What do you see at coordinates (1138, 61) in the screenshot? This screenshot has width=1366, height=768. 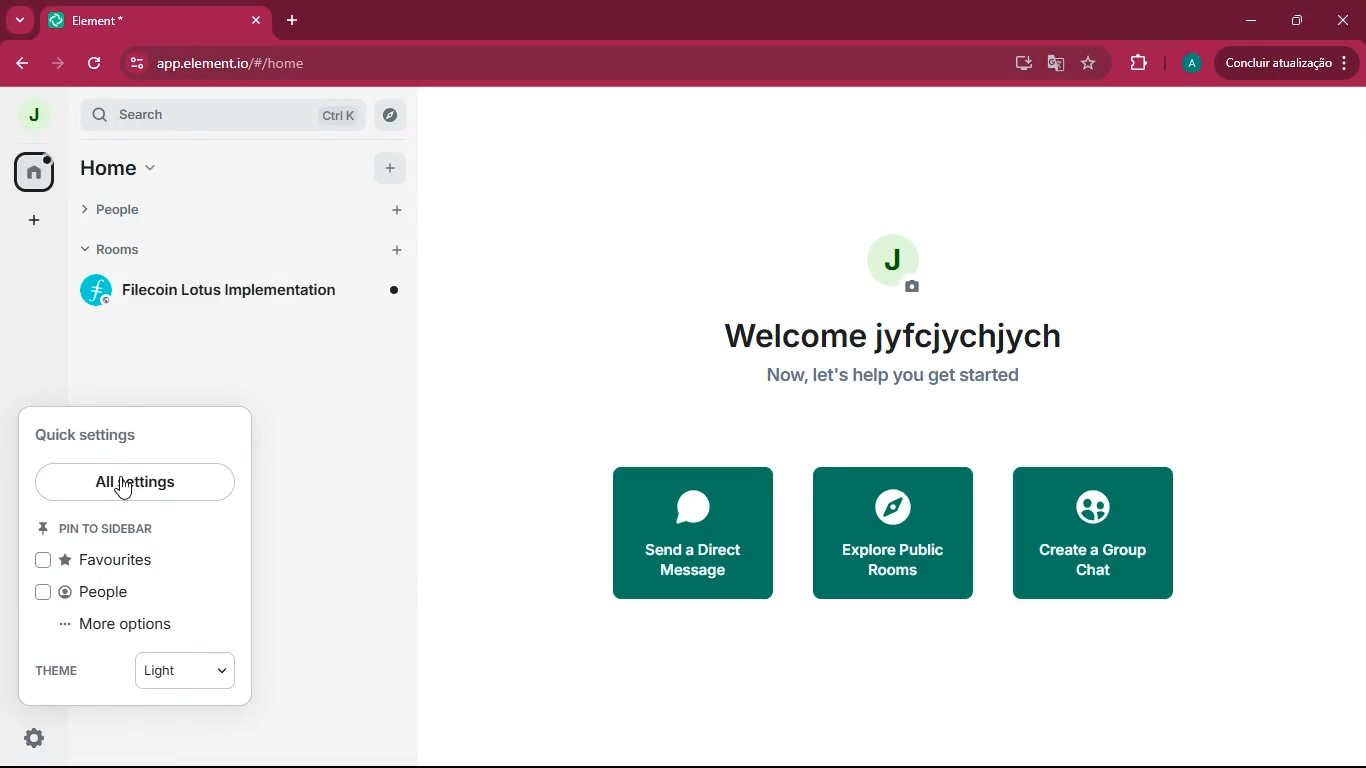 I see `extensions` at bounding box center [1138, 61].